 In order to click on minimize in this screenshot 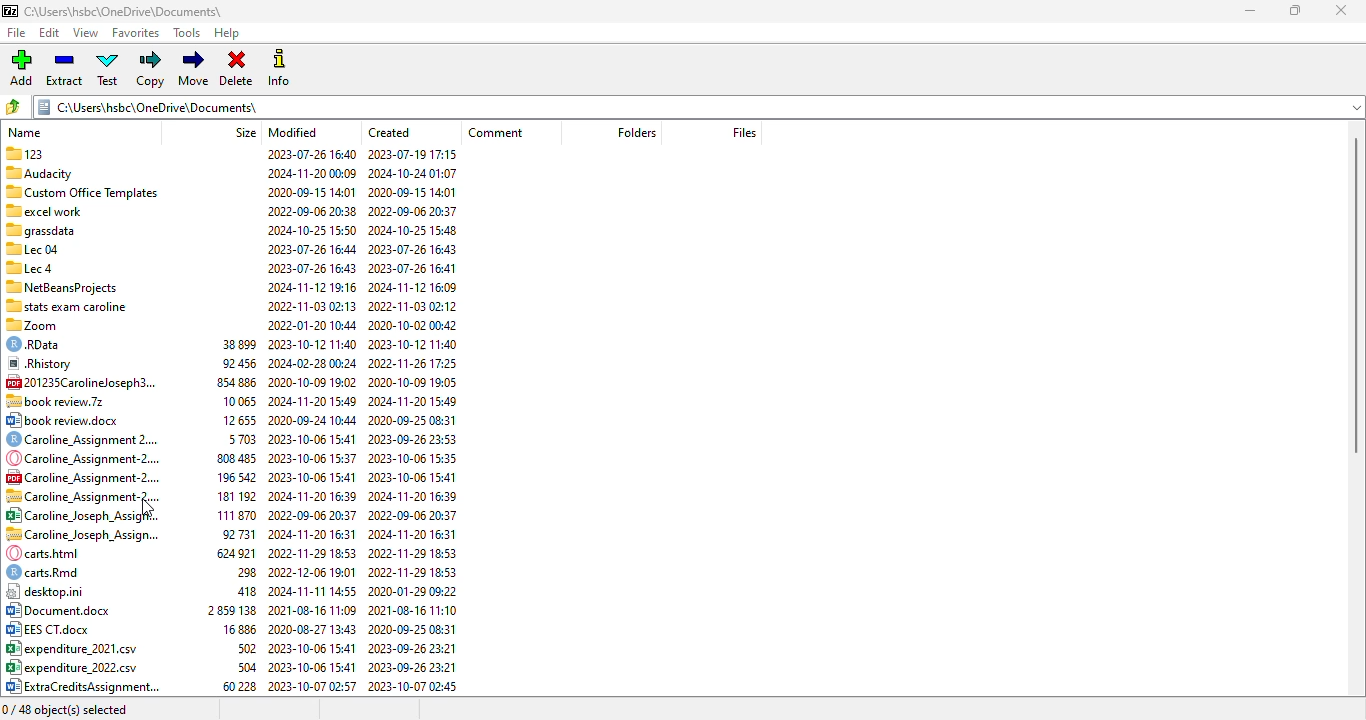, I will do `click(1250, 11)`.